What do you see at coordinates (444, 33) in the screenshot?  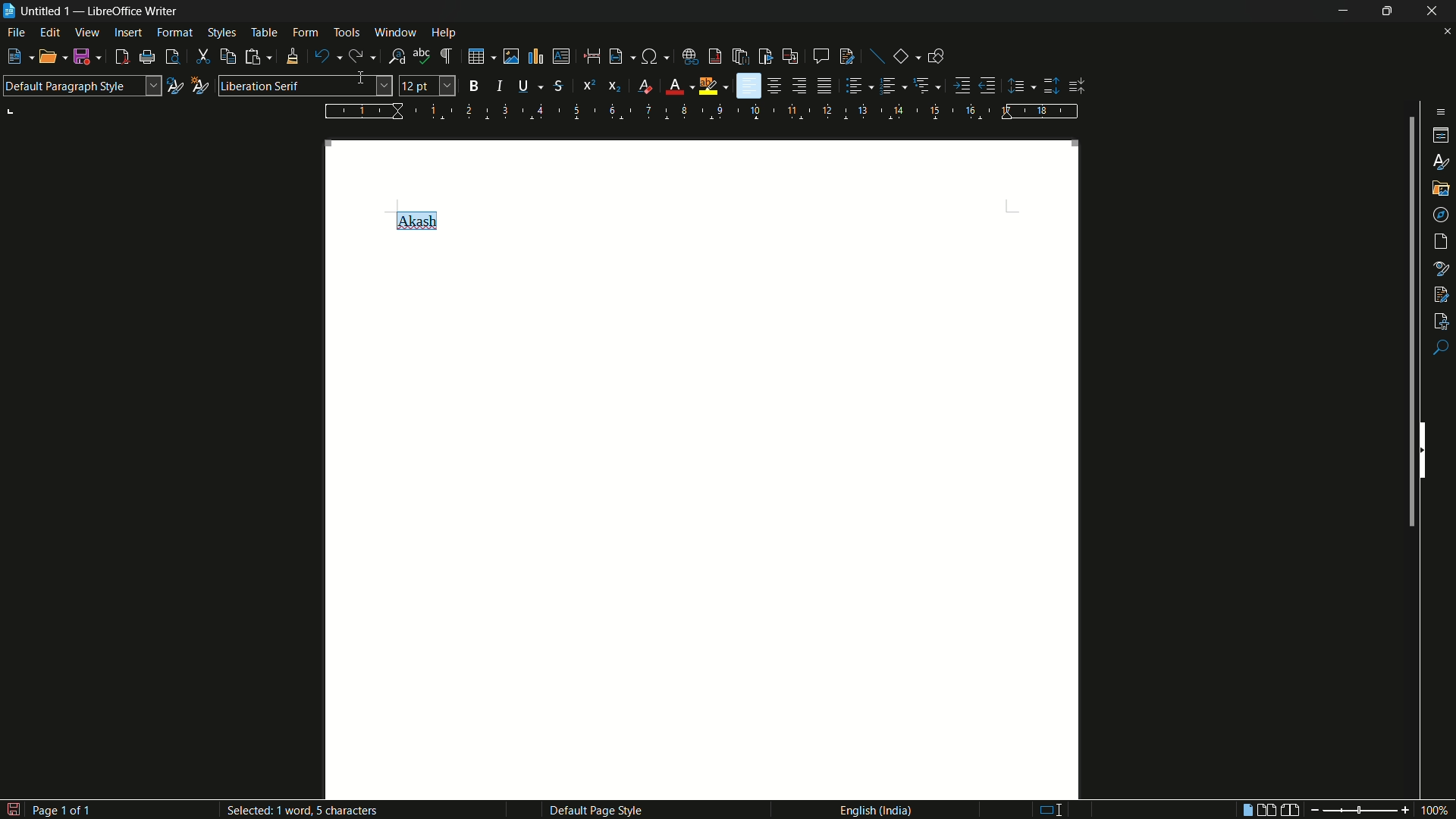 I see `help menu` at bounding box center [444, 33].